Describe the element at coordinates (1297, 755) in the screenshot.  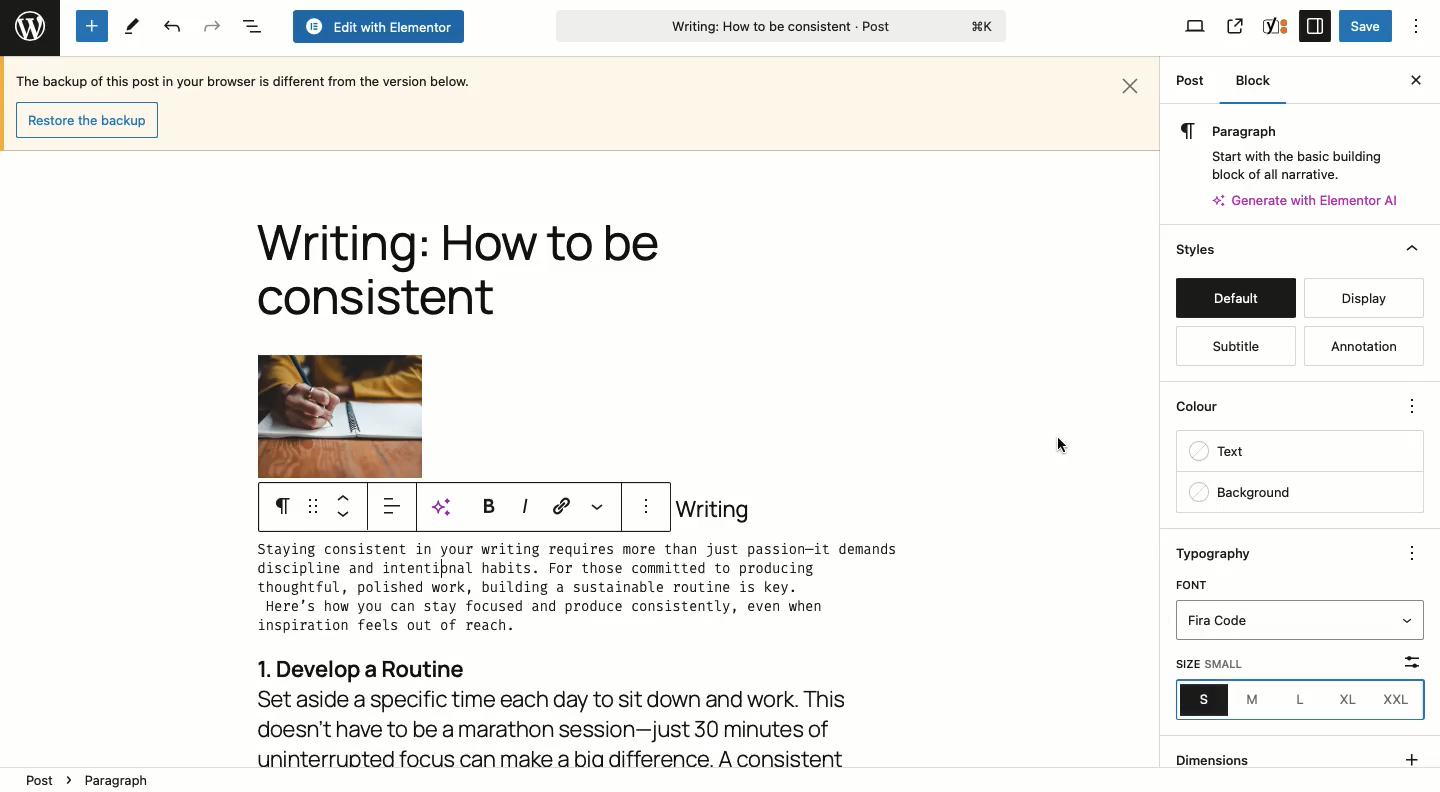
I see `Dimensions +` at that location.